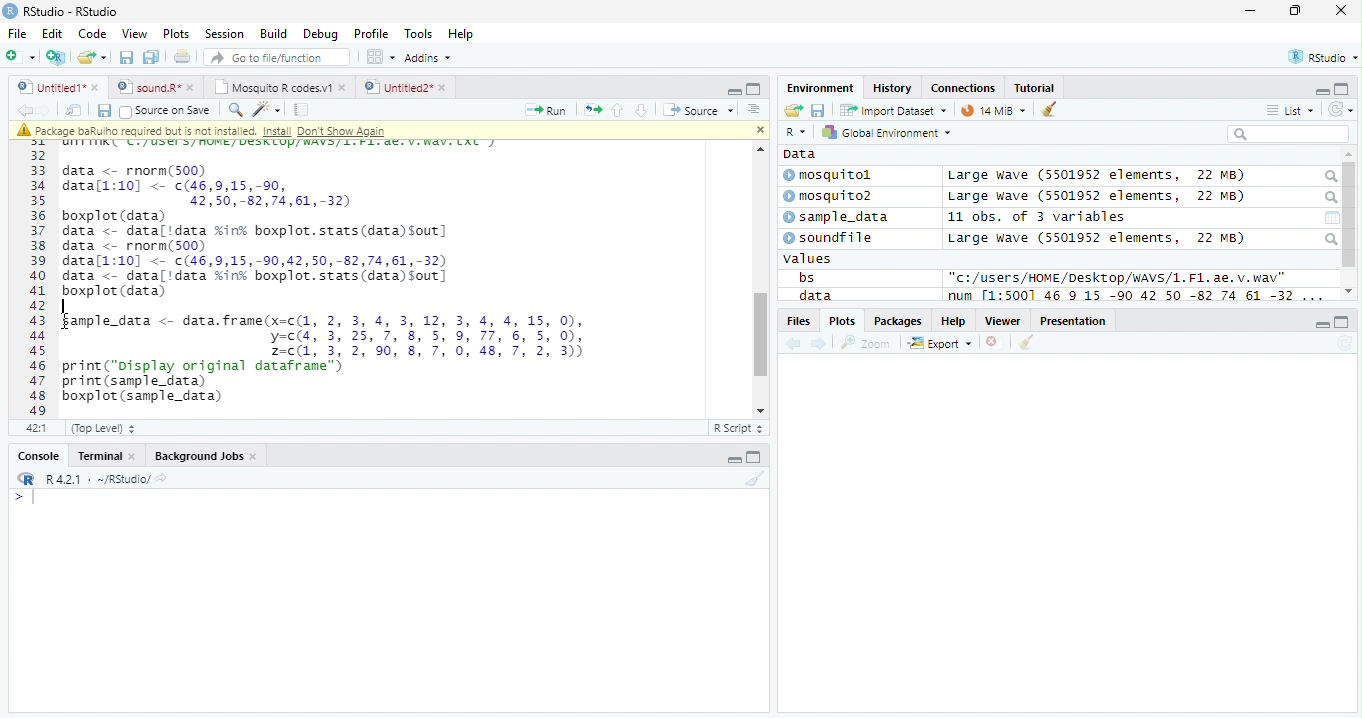 This screenshot has height=718, width=1362. What do you see at coordinates (996, 342) in the screenshot?
I see `delete file` at bounding box center [996, 342].